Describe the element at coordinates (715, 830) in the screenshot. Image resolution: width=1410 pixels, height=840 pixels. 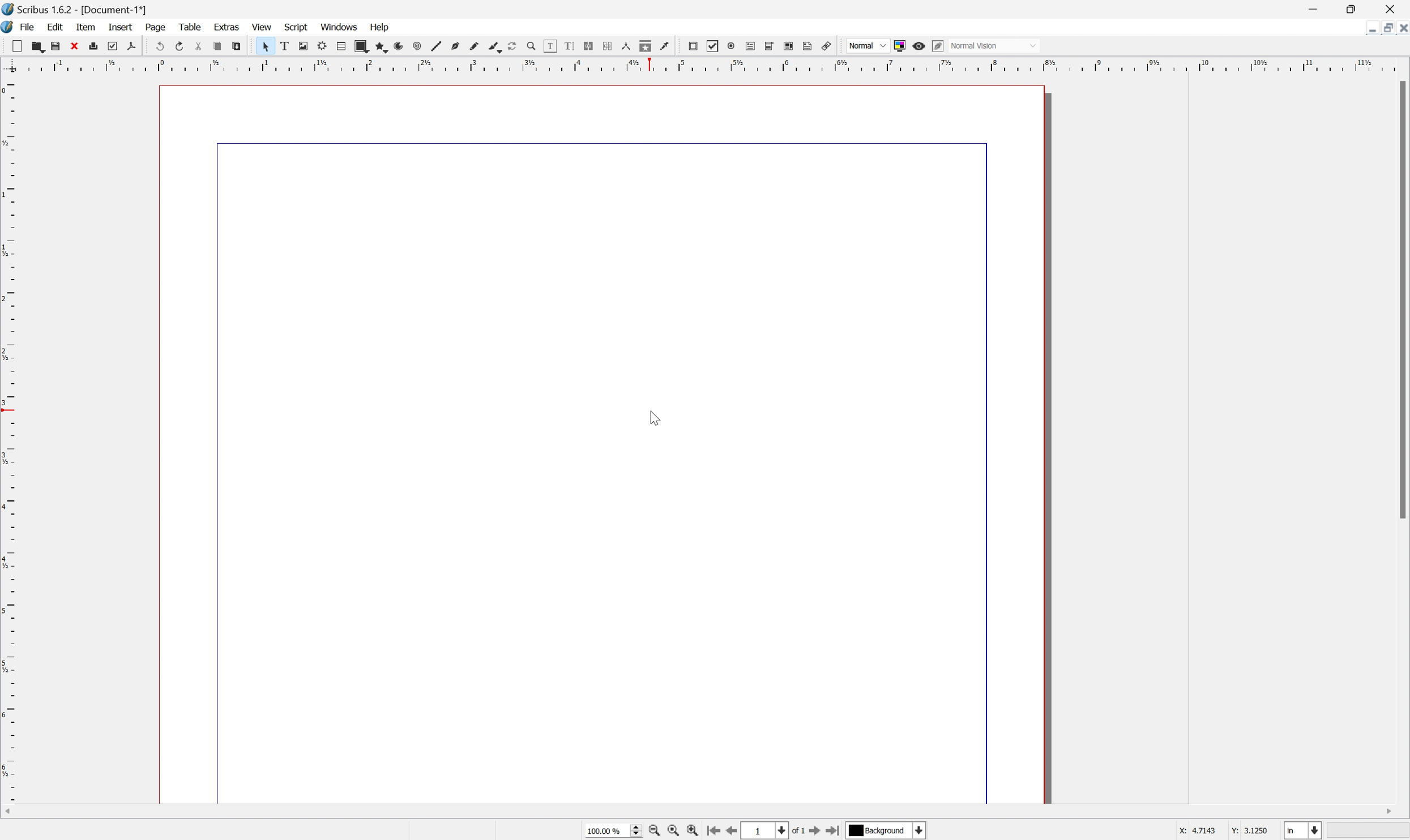
I see `Go to first page` at that location.